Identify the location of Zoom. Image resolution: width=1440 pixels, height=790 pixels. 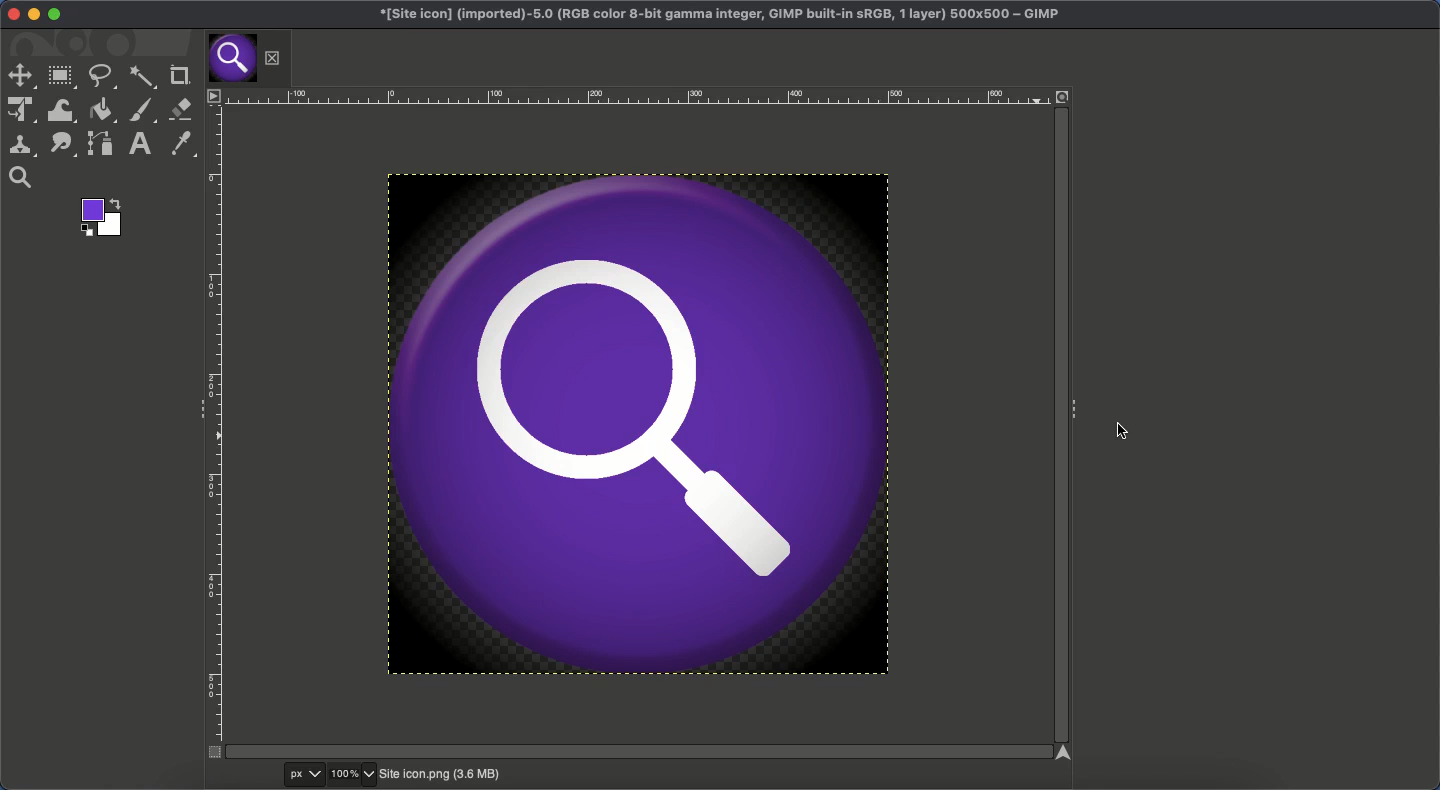
(354, 775).